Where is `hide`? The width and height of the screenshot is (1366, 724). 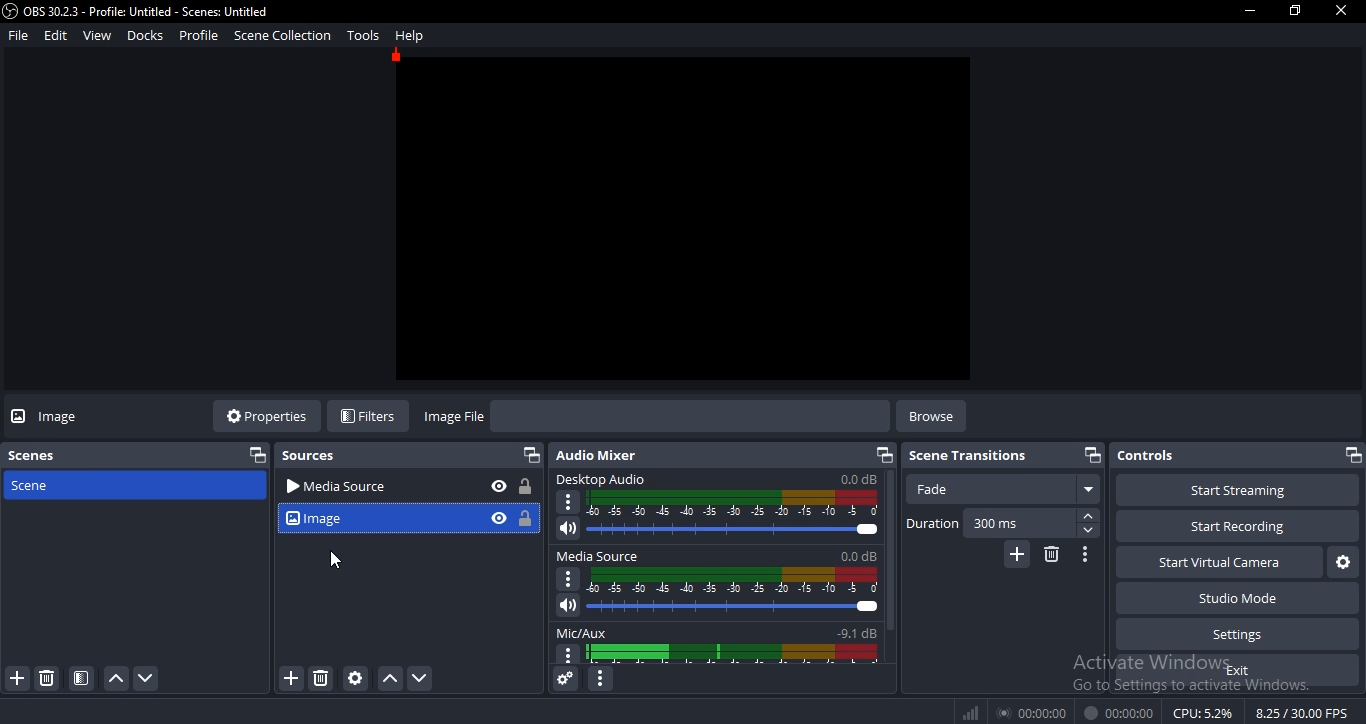
hide is located at coordinates (497, 518).